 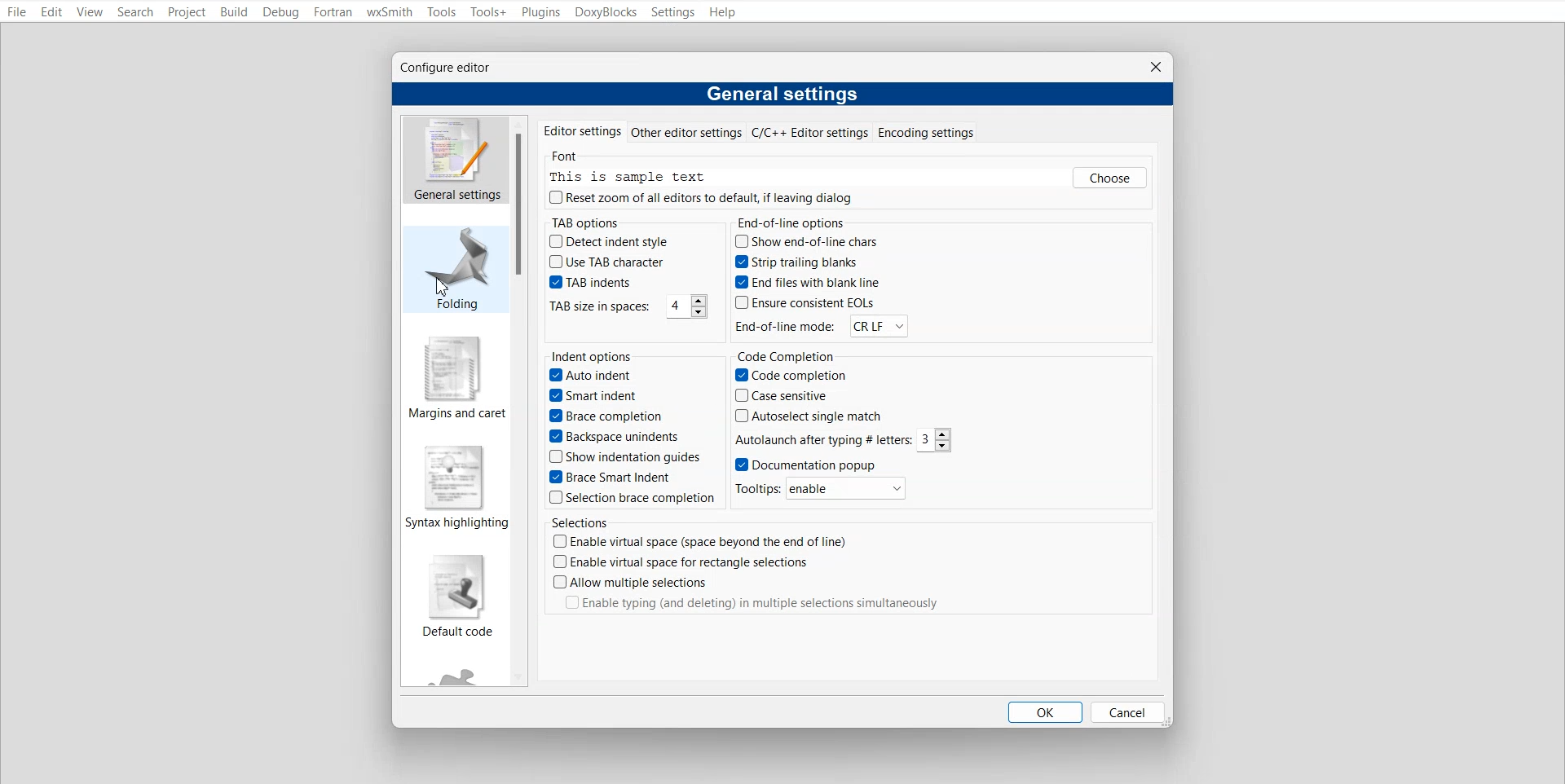 What do you see at coordinates (456, 377) in the screenshot?
I see `Margins and caret` at bounding box center [456, 377].